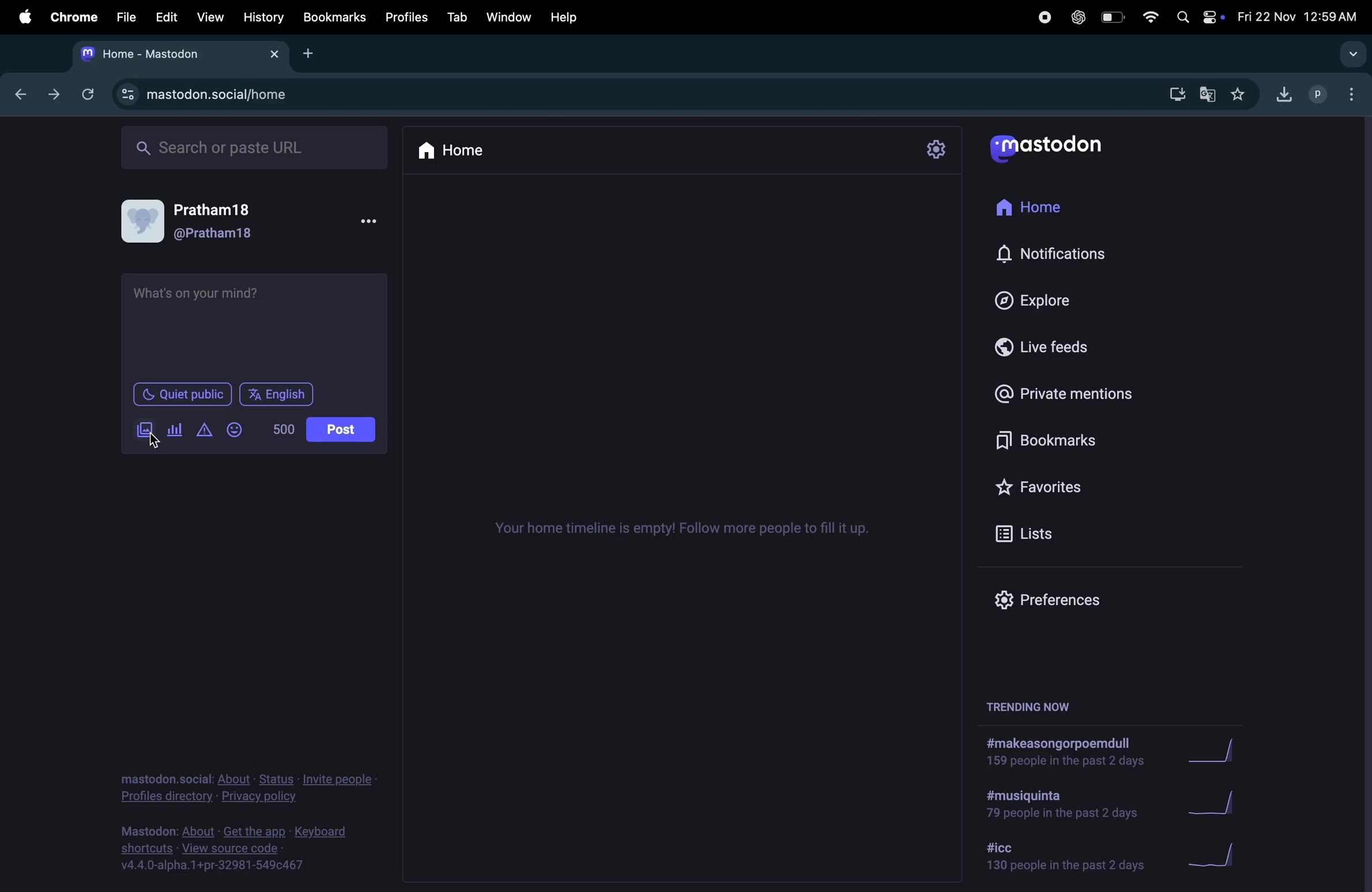 Image resolution: width=1372 pixels, height=892 pixels. I want to click on time line, so click(687, 530).